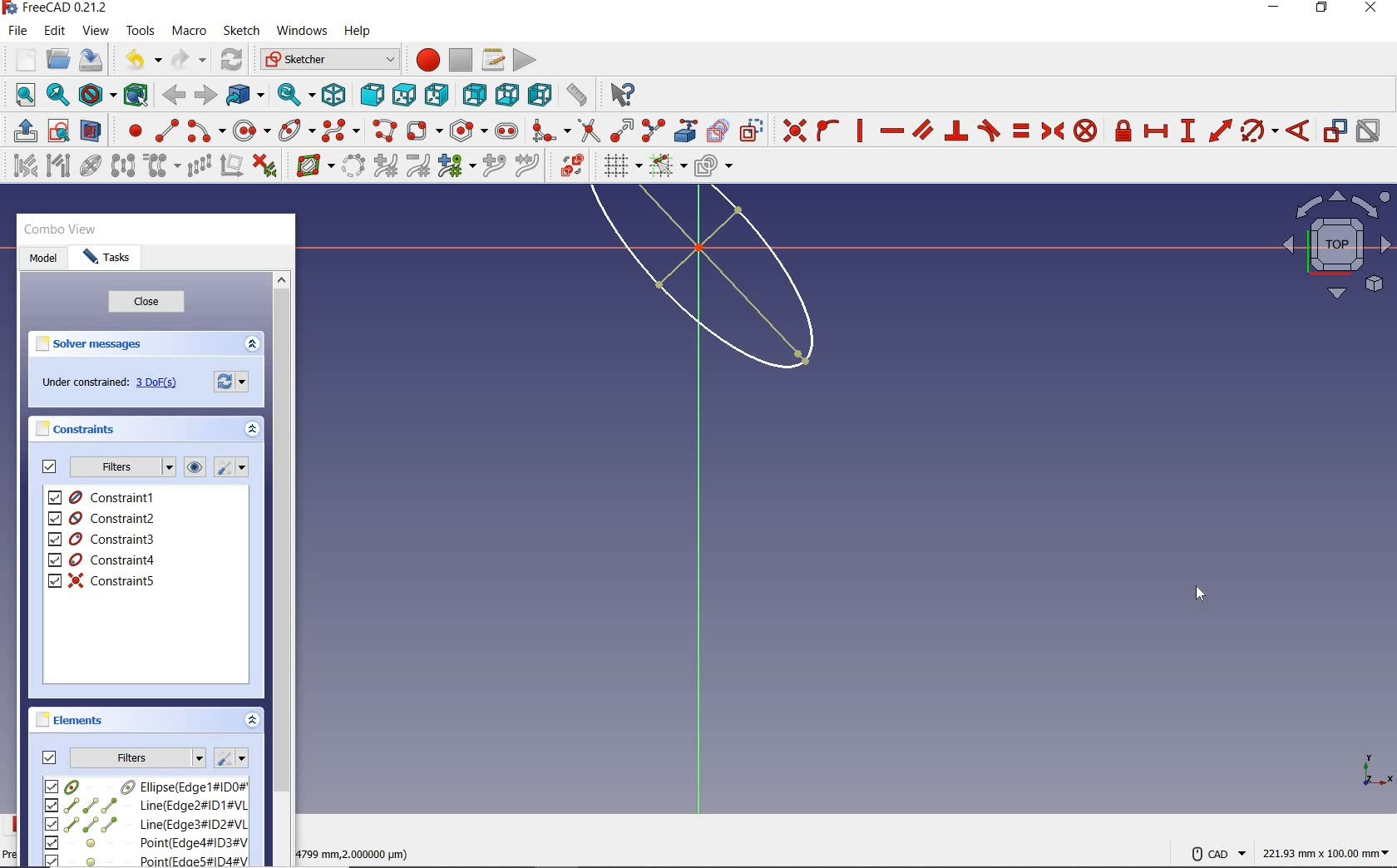 The height and width of the screenshot is (868, 1397). Describe the element at coordinates (1051, 131) in the screenshot. I see `constrain symmetrical` at that location.